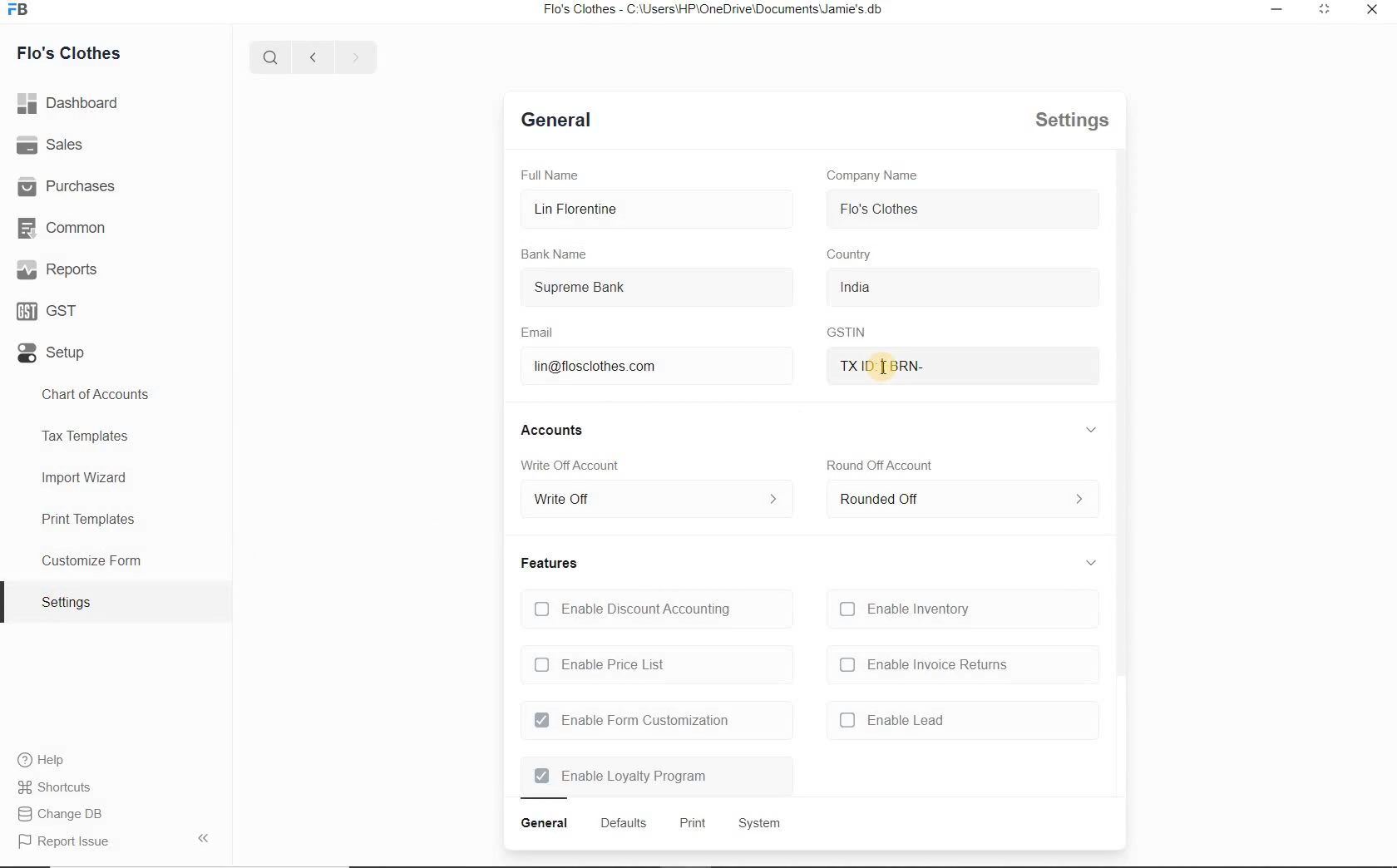 The height and width of the screenshot is (868, 1397). I want to click on enable invoice returns, so click(923, 665).